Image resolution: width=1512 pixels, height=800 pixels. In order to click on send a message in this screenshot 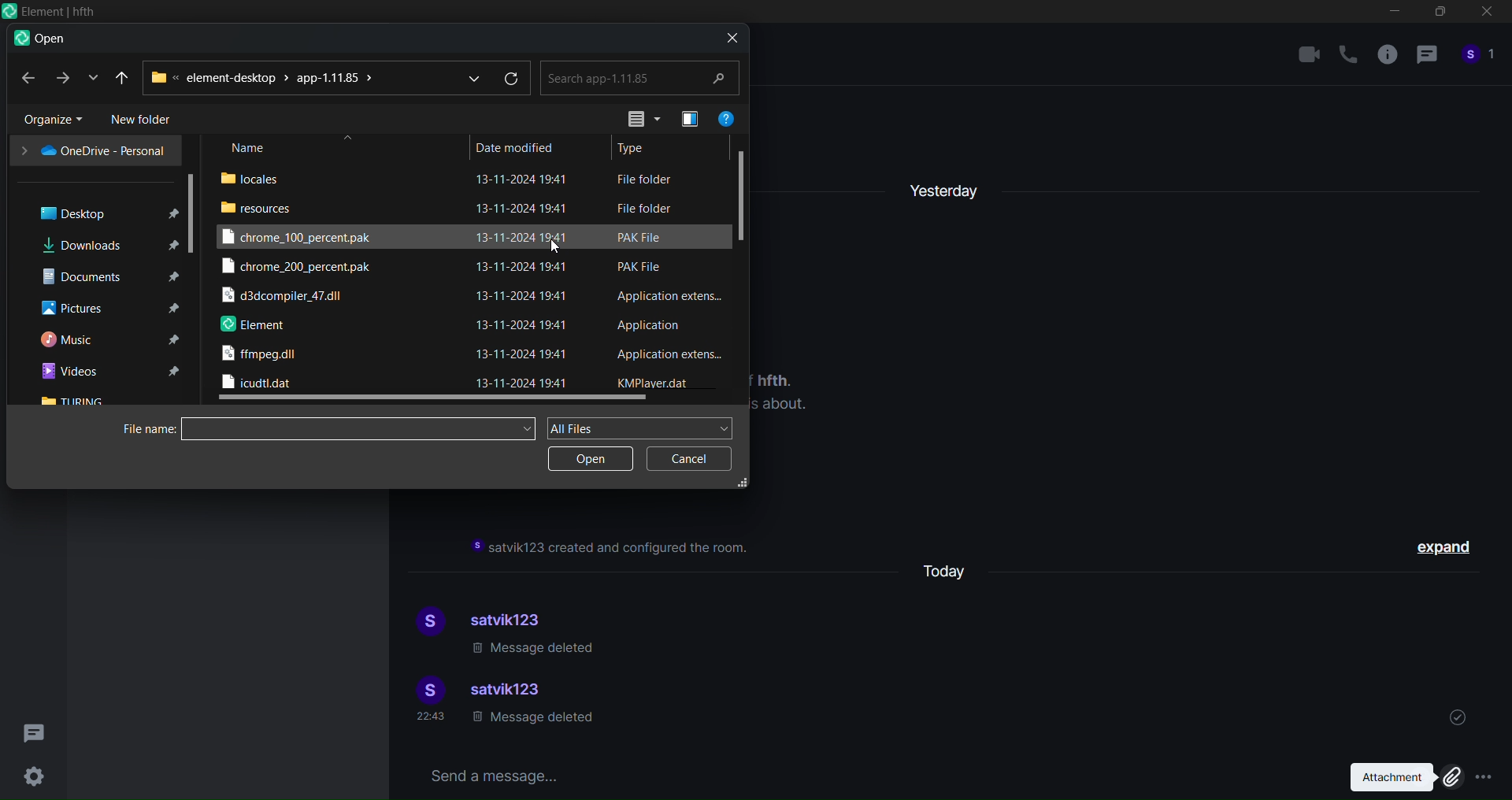, I will do `click(862, 774)`.